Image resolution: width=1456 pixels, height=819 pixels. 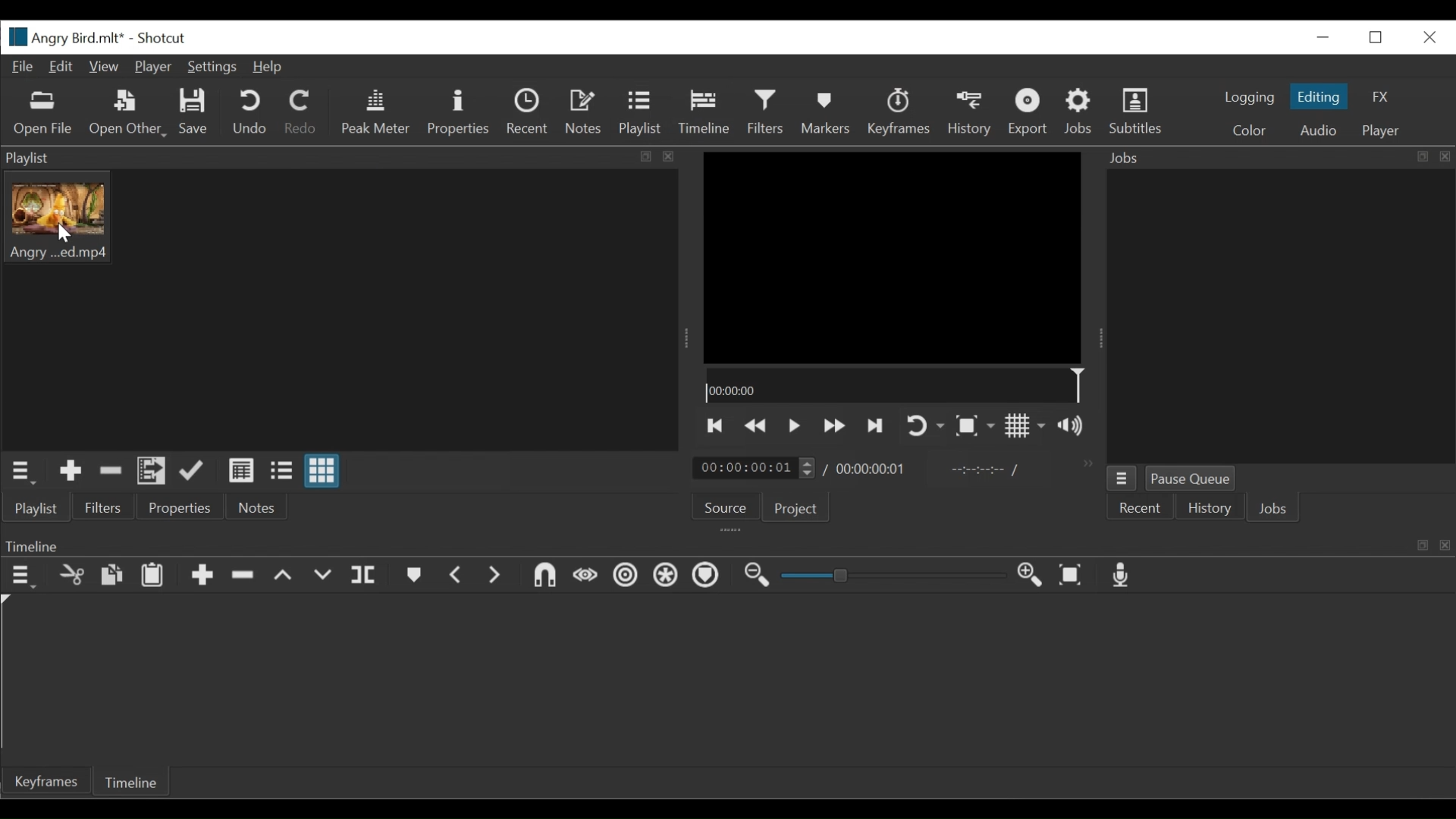 What do you see at coordinates (249, 113) in the screenshot?
I see `Undo` at bounding box center [249, 113].